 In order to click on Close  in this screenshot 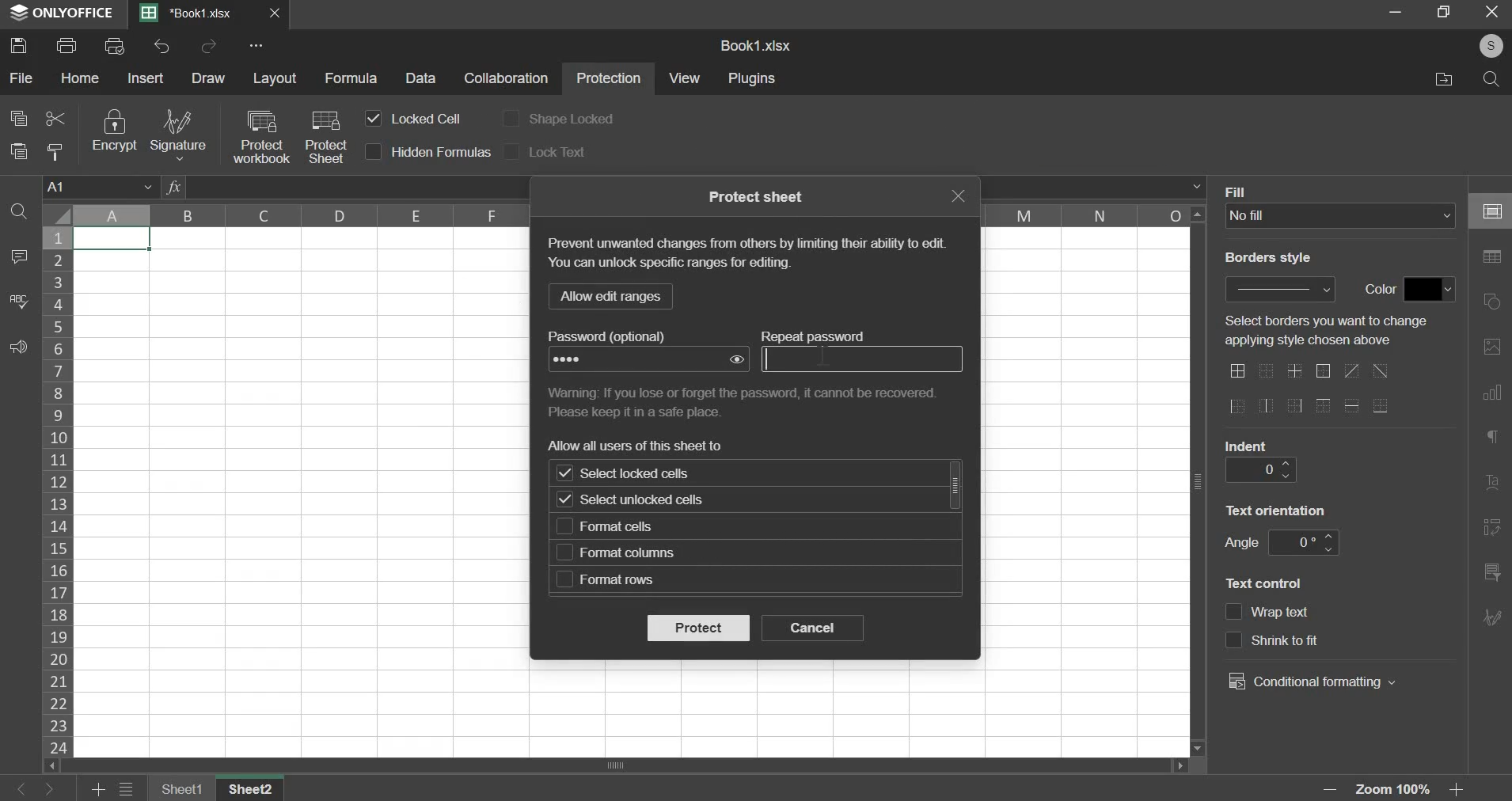, I will do `click(276, 13)`.